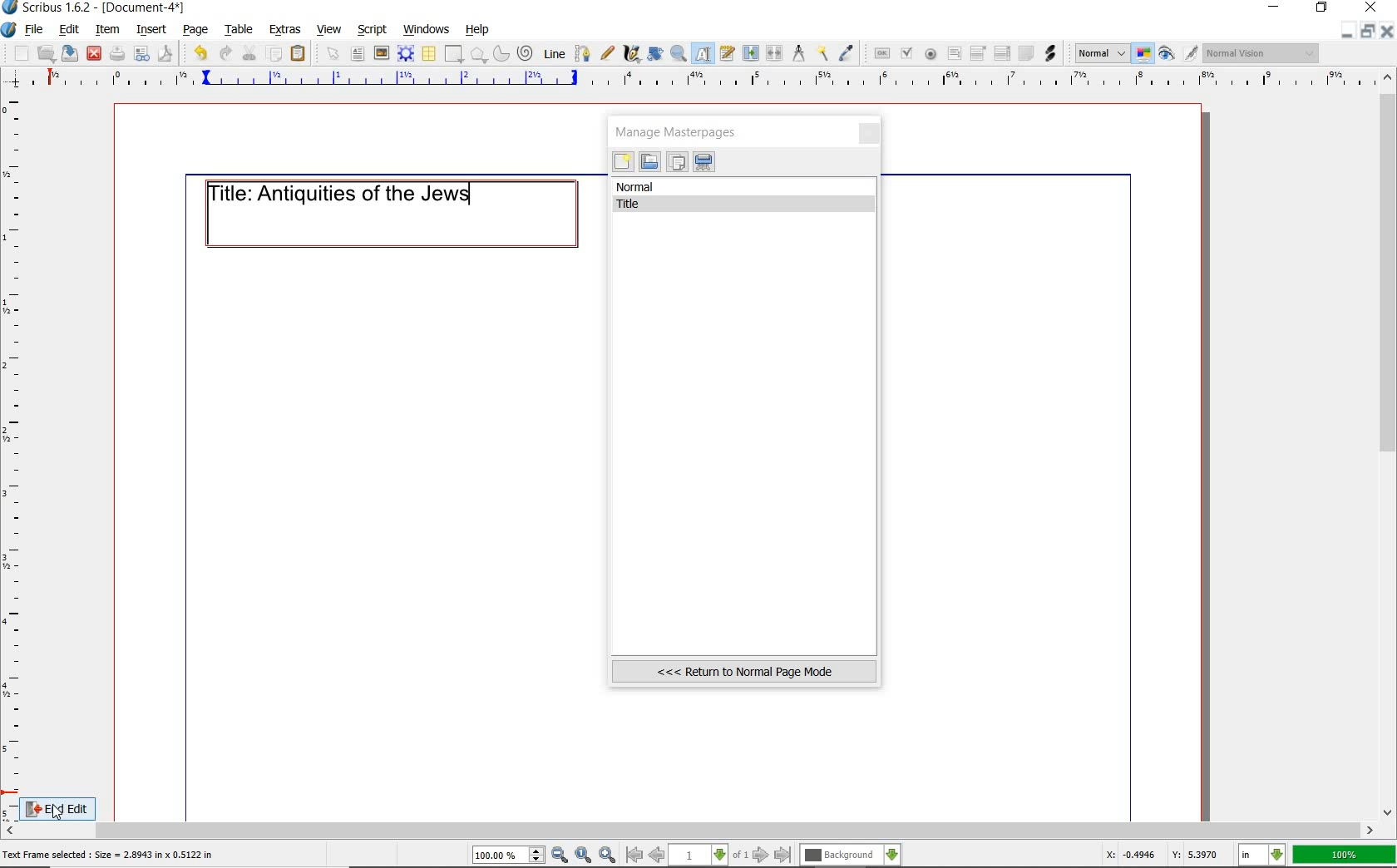  What do you see at coordinates (631, 54) in the screenshot?
I see `calligraphic line` at bounding box center [631, 54].